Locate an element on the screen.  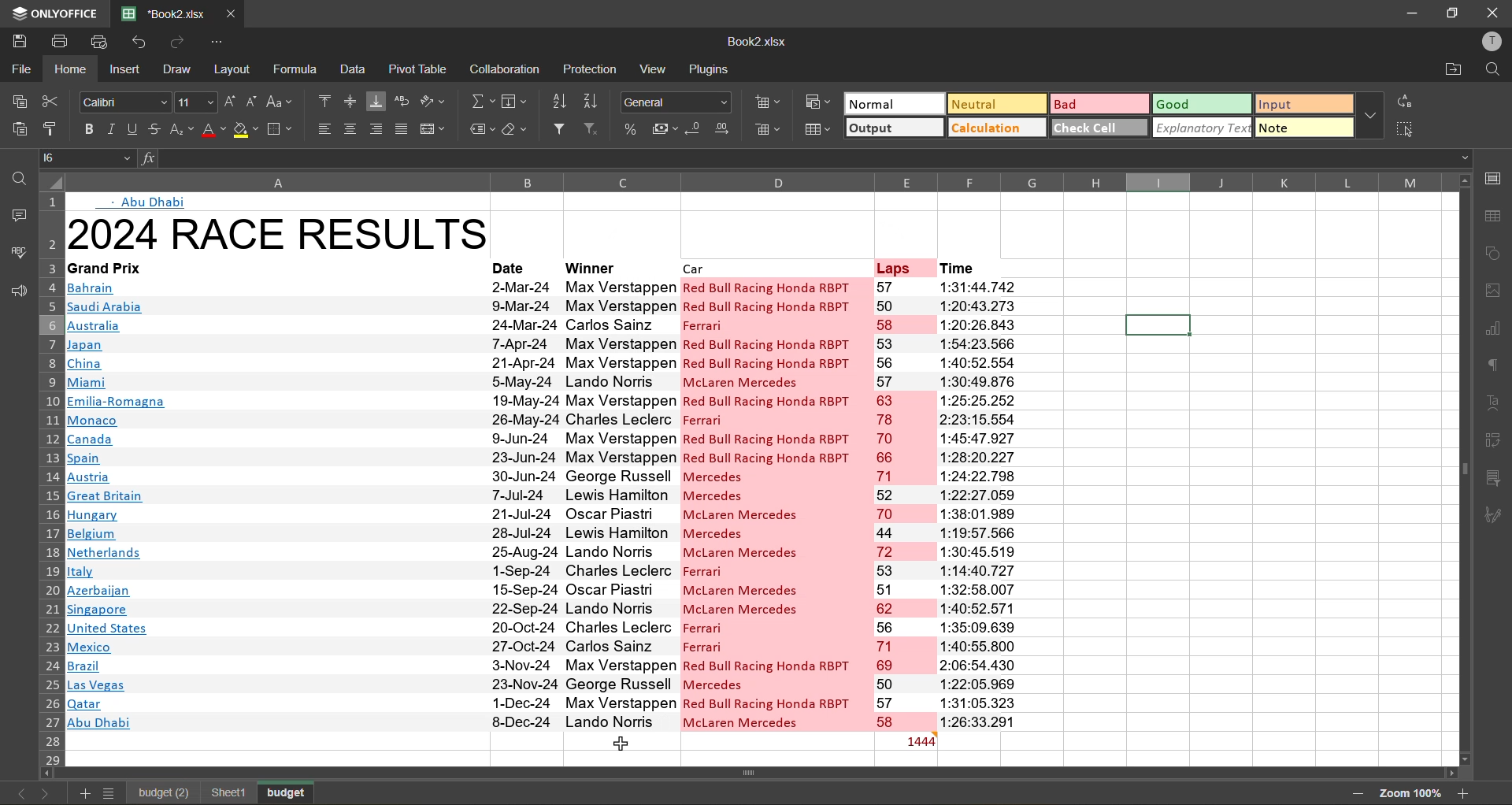
filter is located at coordinates (563, 131).